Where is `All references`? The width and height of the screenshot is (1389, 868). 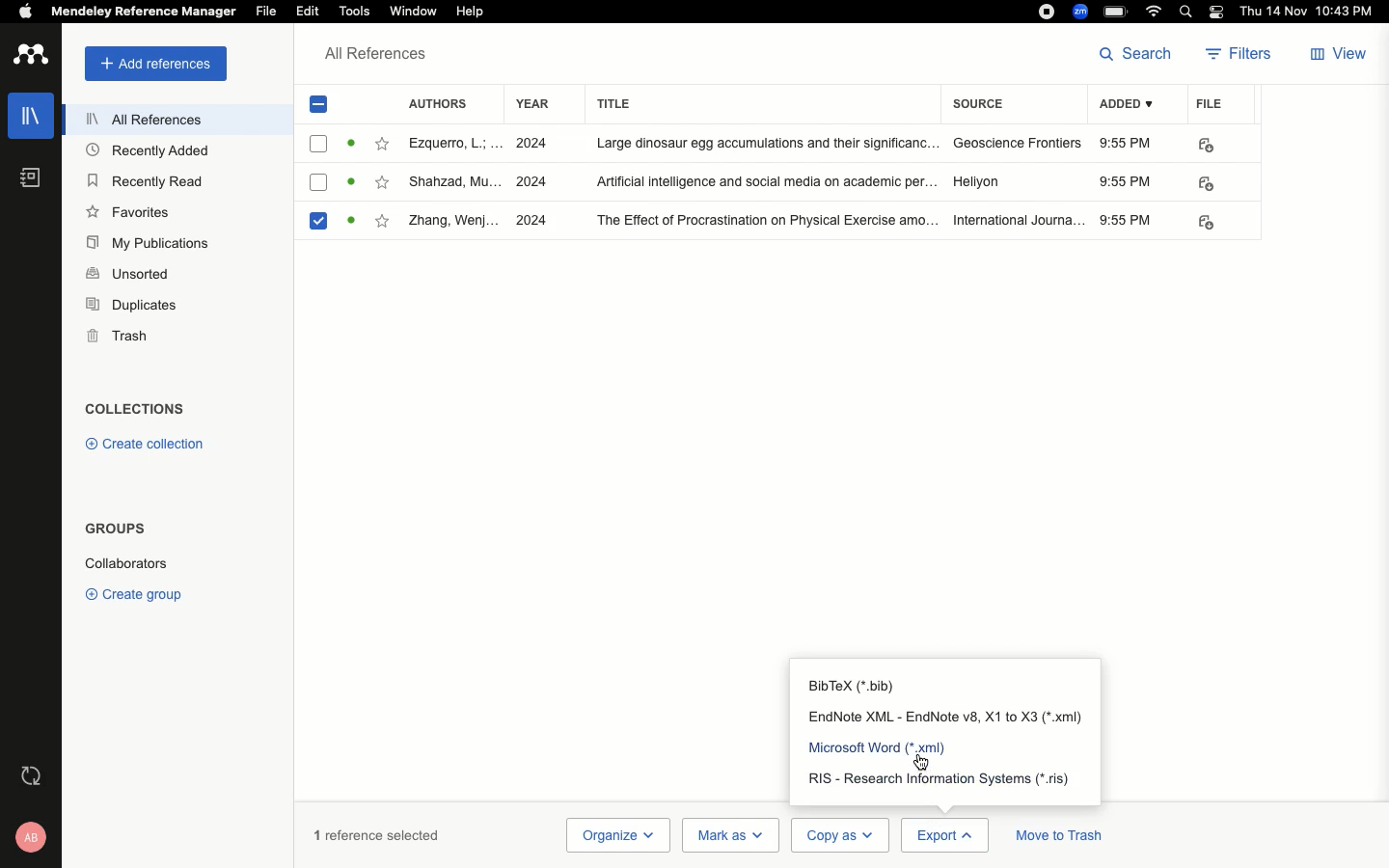
All references is located at coordinates (145, 122).